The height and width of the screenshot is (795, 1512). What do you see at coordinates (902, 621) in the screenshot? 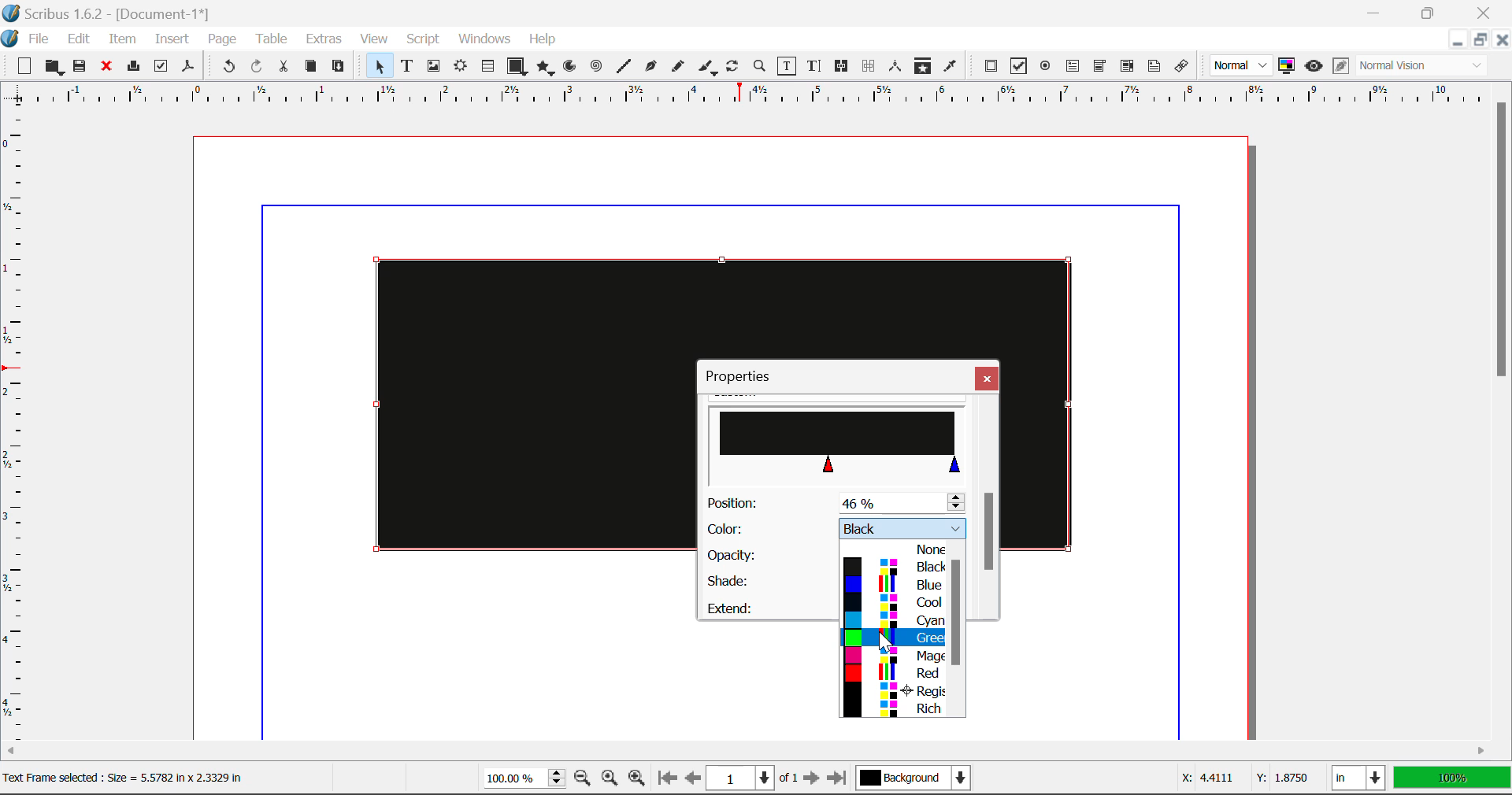
I see `Cyan` at bounding box center [902, 621].